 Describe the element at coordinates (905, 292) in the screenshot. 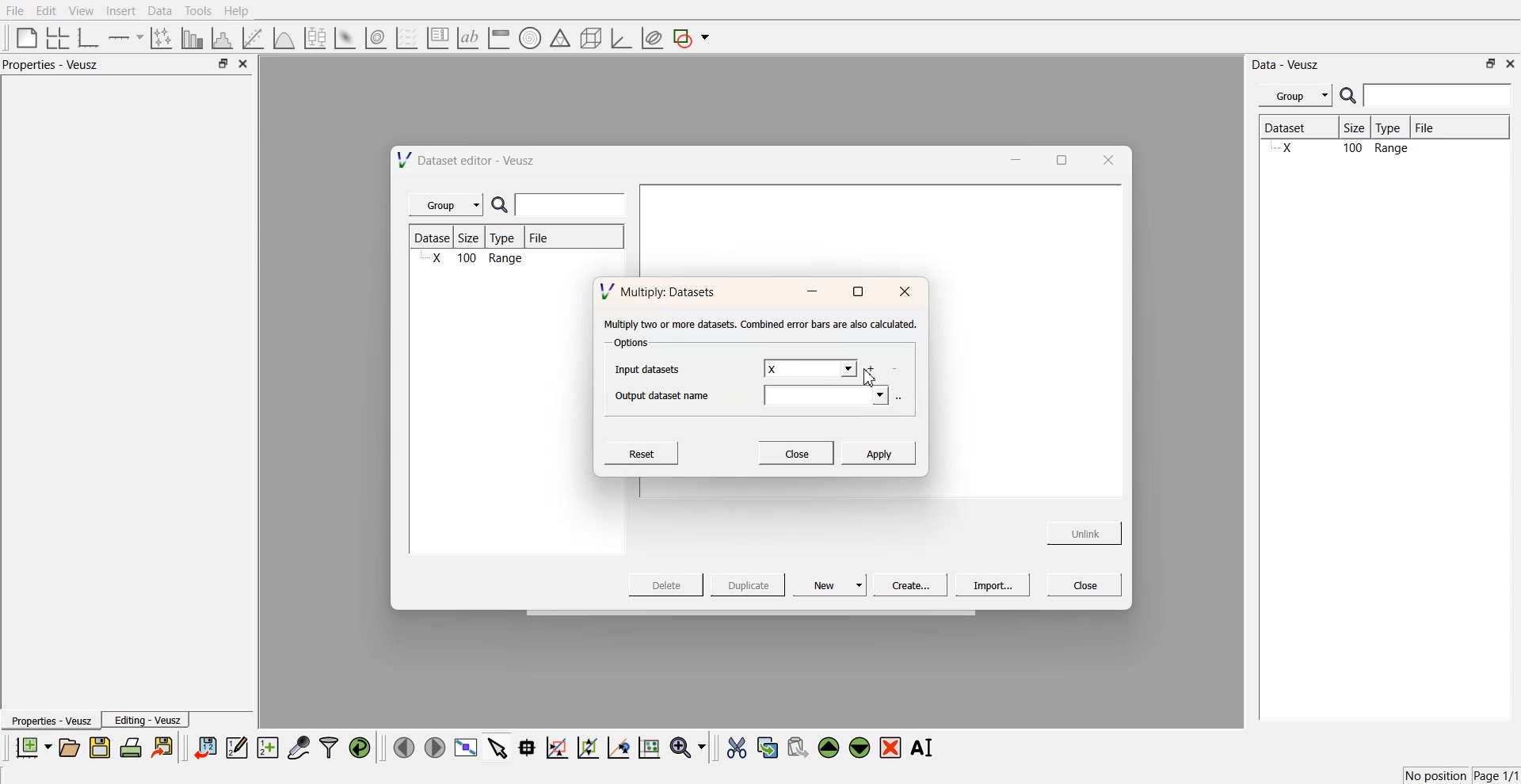

I see `close` at that location.